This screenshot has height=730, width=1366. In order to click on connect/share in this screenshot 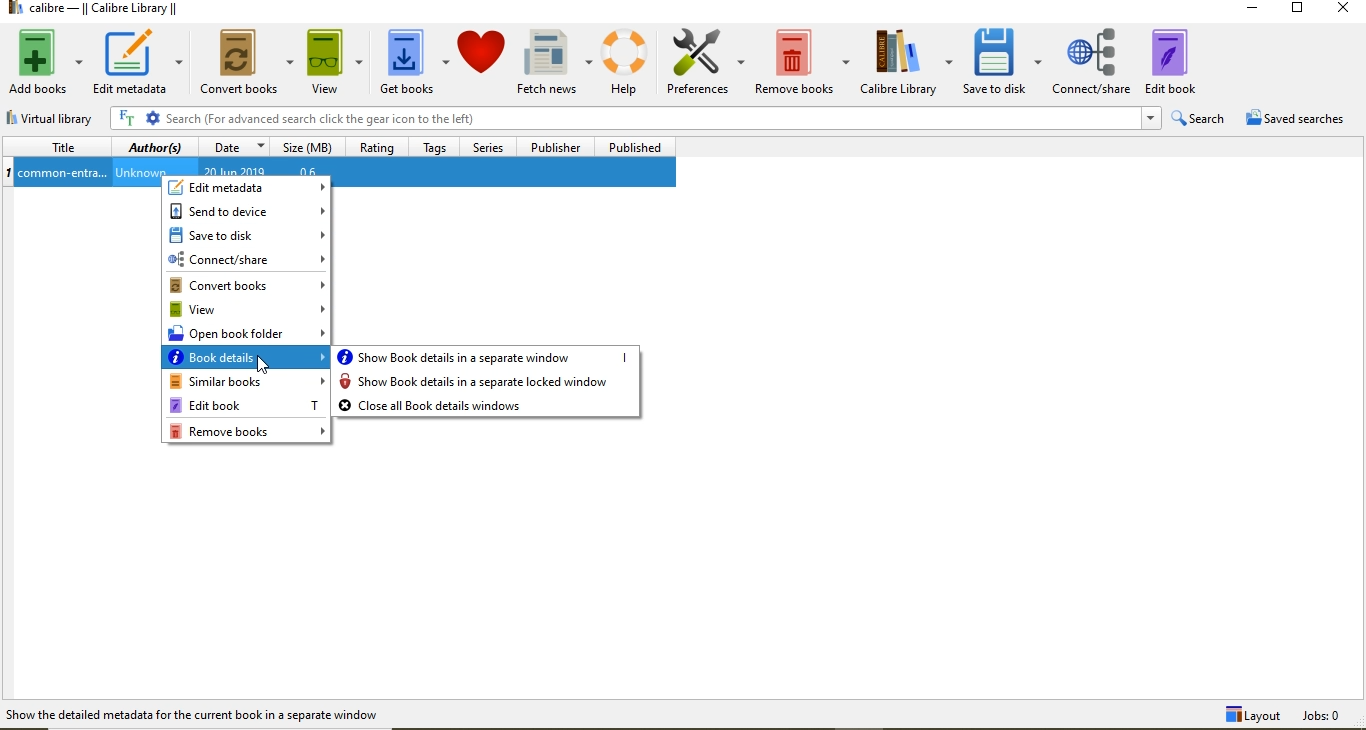, I will do `click(245, 259)`.